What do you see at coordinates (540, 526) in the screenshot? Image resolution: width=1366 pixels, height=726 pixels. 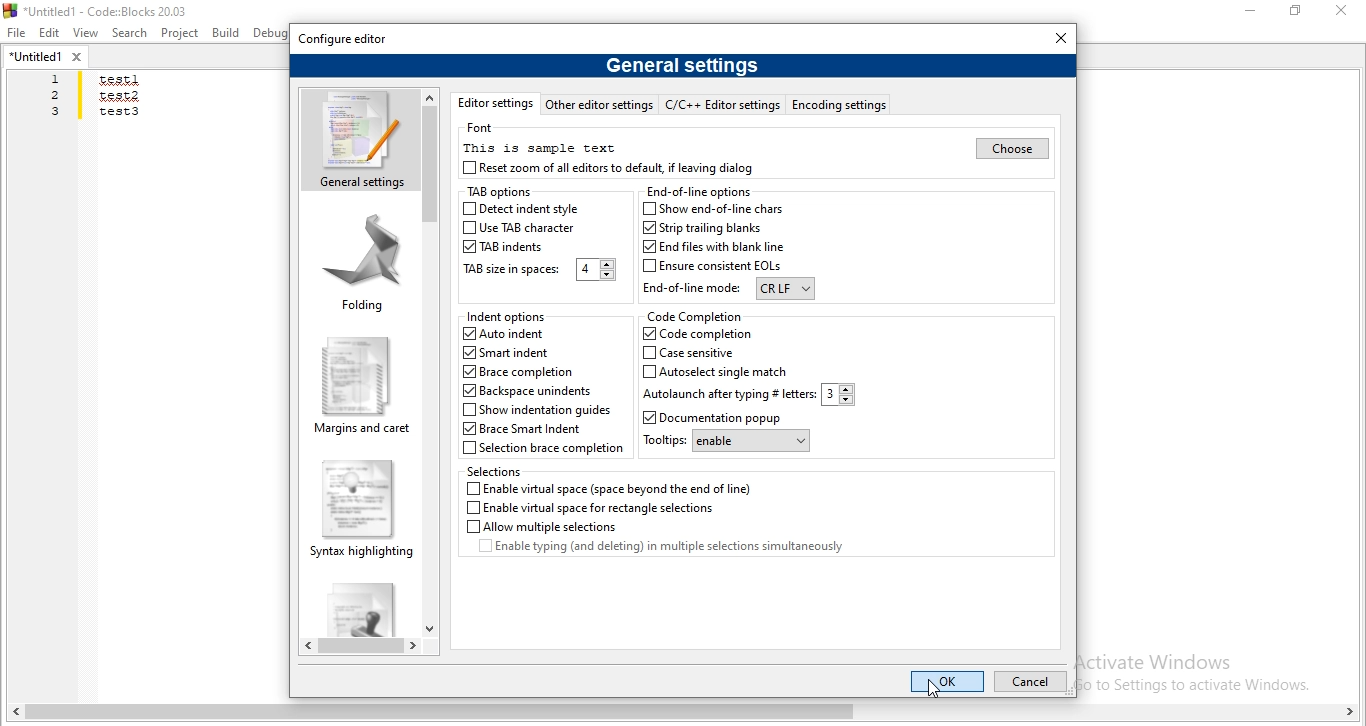 I see `Allow multiple selections` at bounding box center [540, 526].